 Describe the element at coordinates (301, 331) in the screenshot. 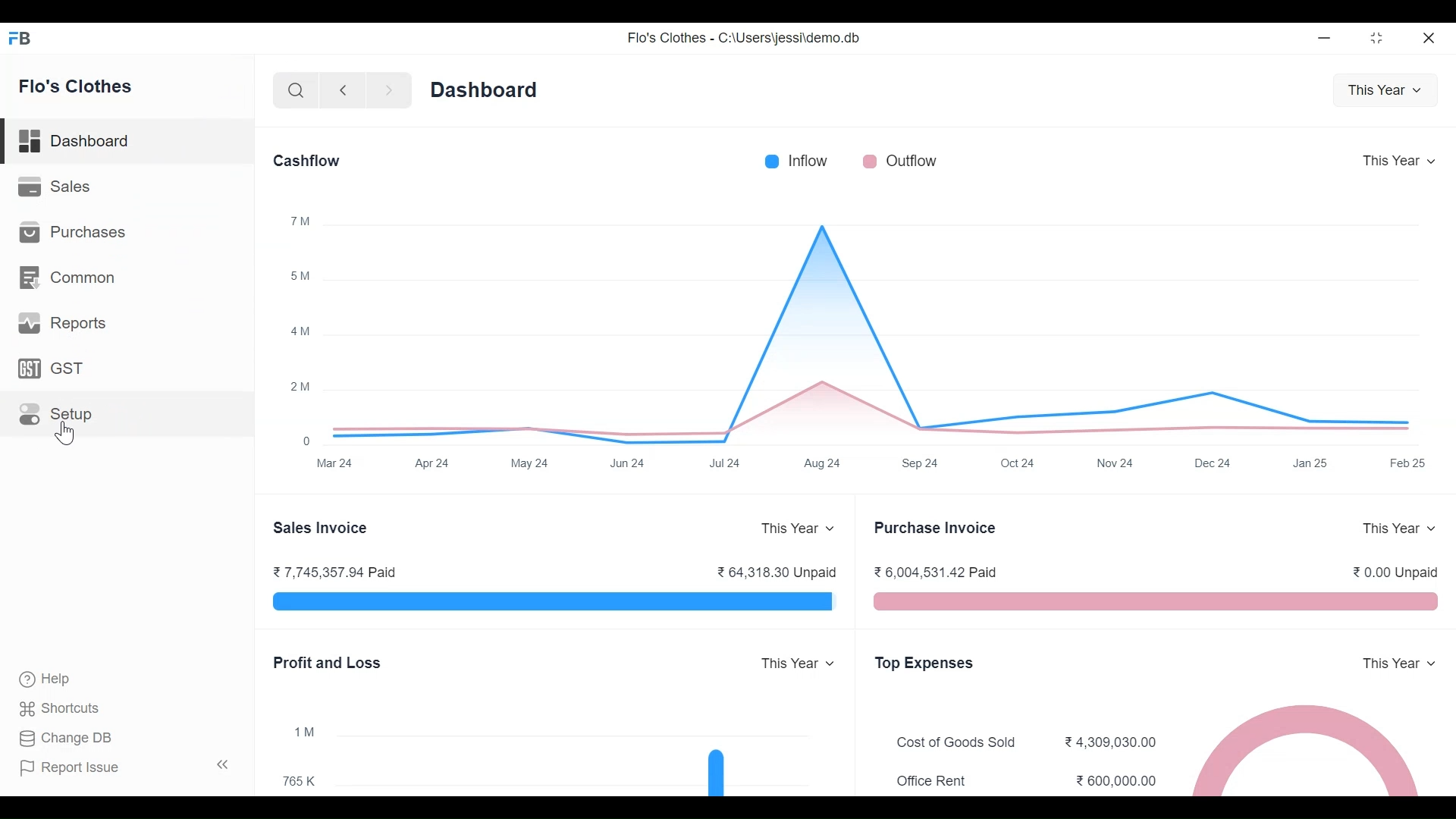

I see `4M` at that location.